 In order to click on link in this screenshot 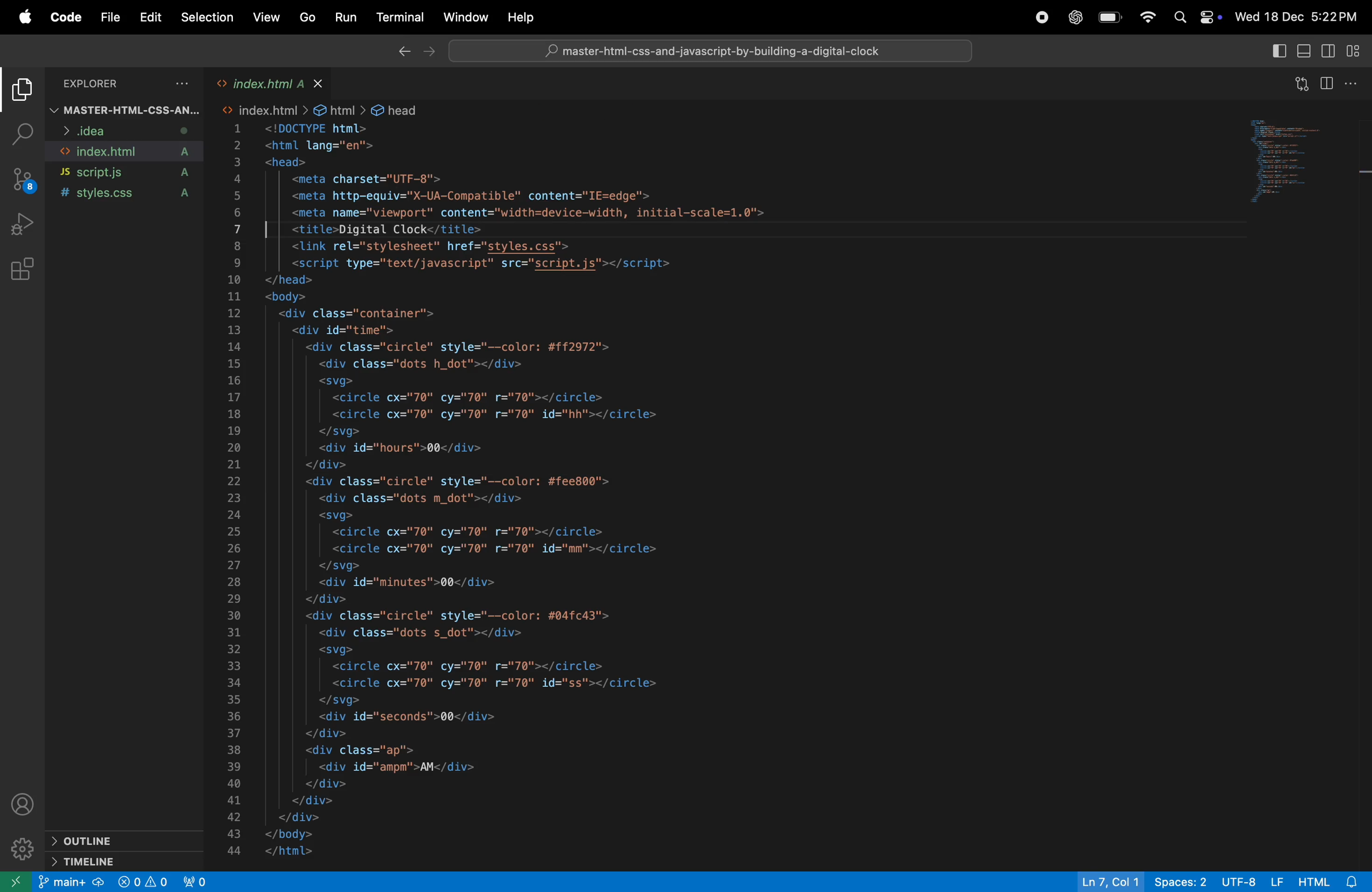, I will do `click(402, 107)`.